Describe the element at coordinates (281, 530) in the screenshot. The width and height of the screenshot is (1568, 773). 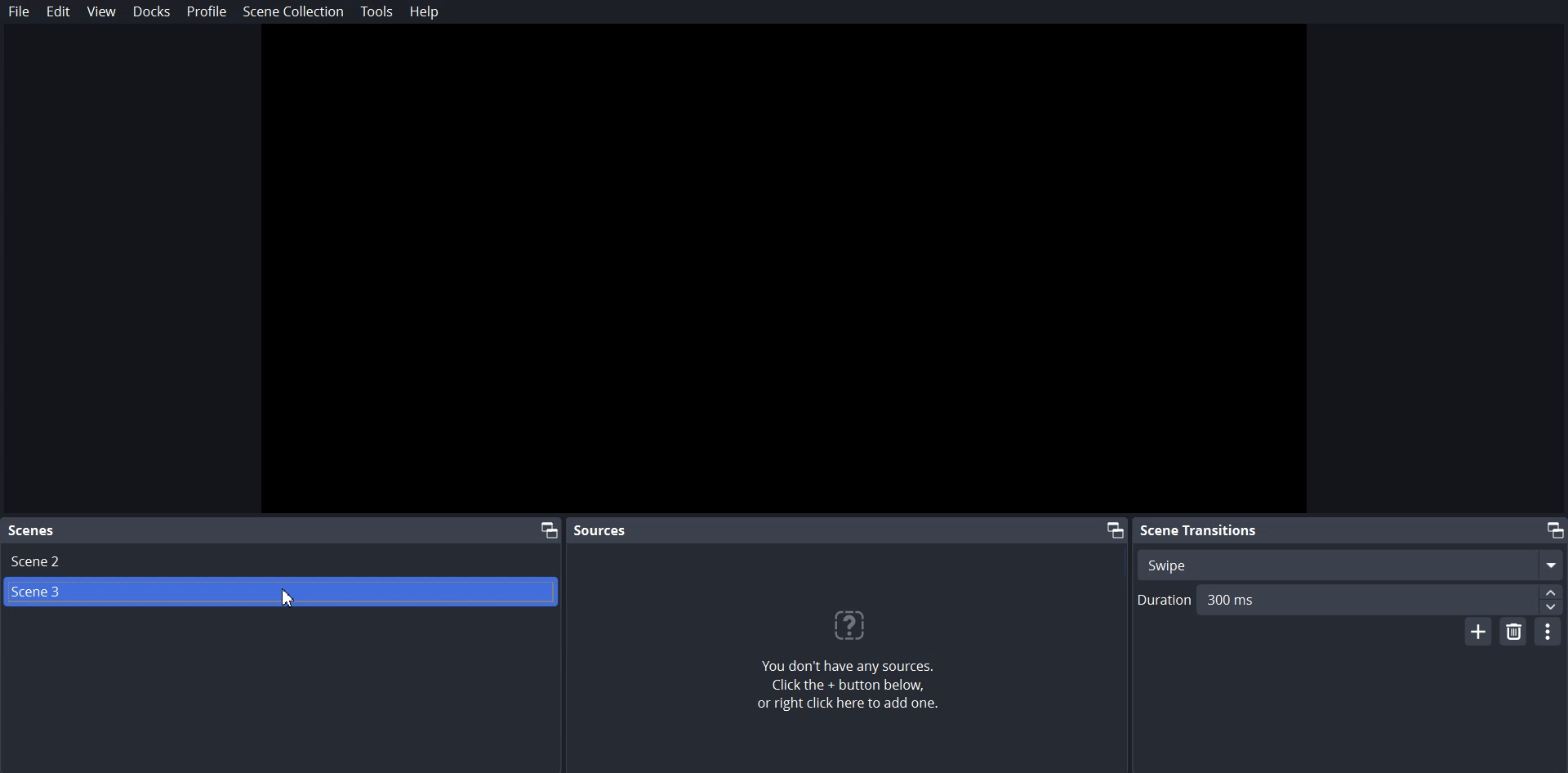
I see `Scene` at that location.